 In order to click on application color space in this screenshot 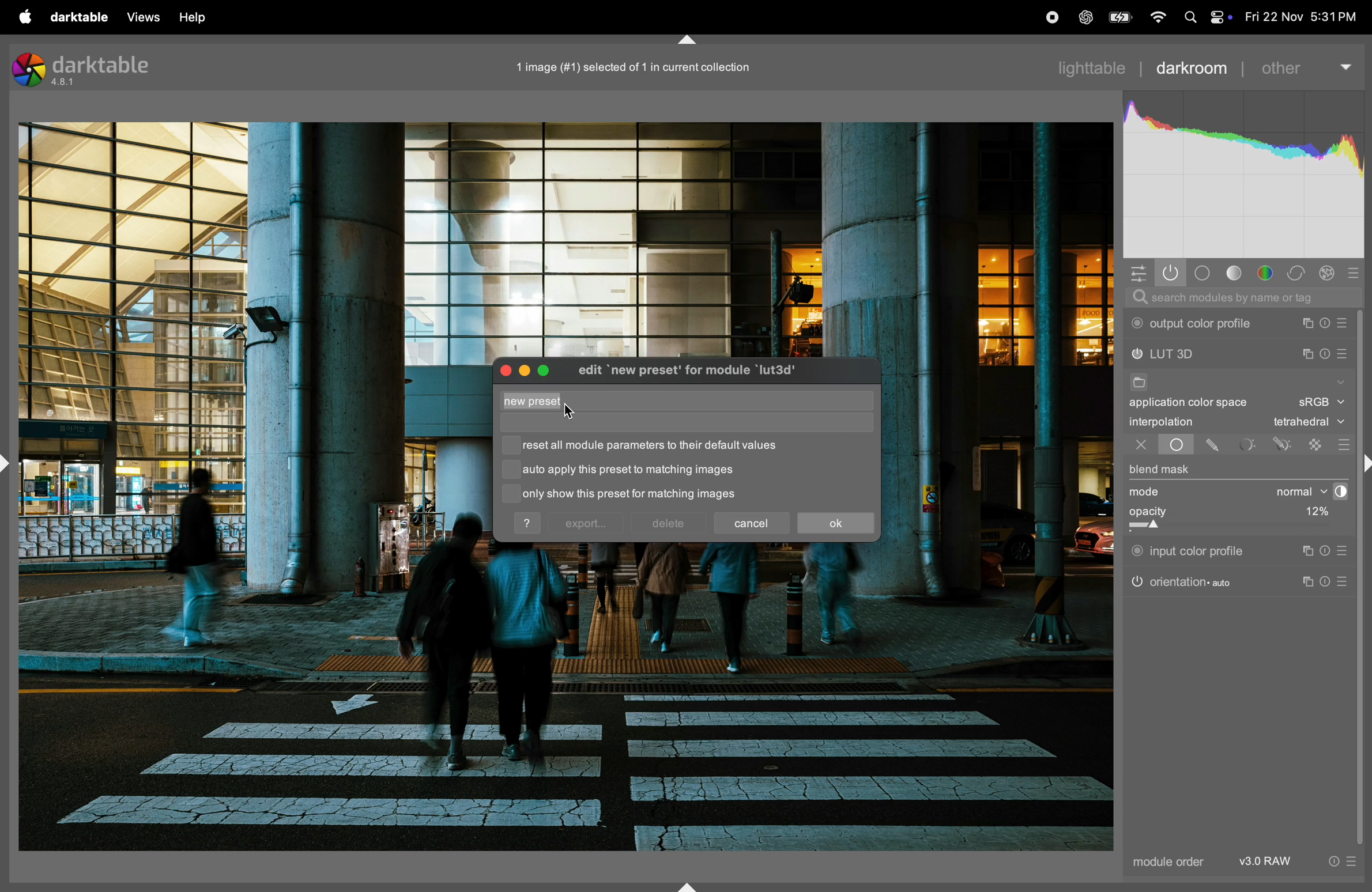, I will do `click(1198, 405)`.